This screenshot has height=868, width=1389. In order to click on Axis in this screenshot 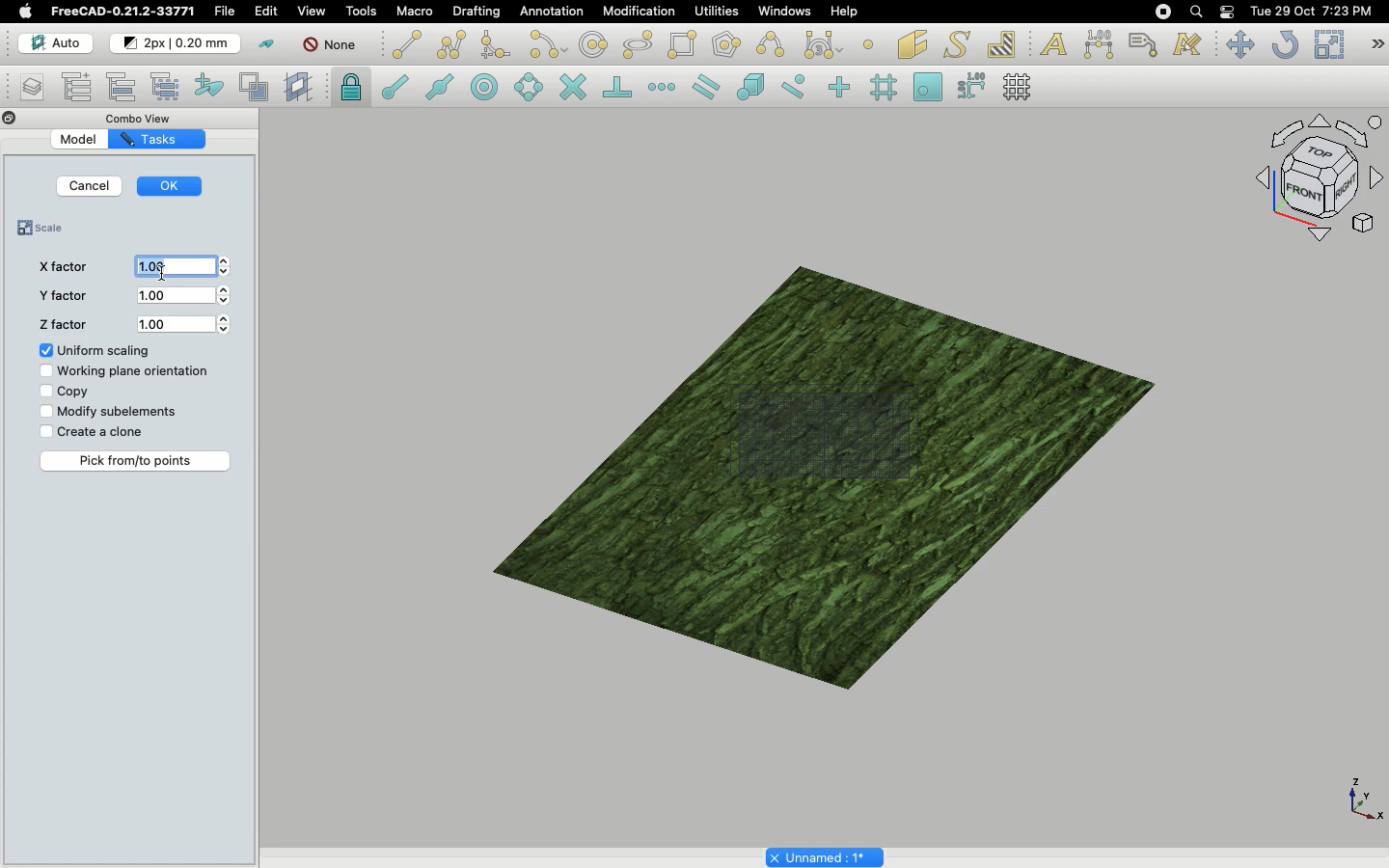, I will do `click(1362, 799)`.